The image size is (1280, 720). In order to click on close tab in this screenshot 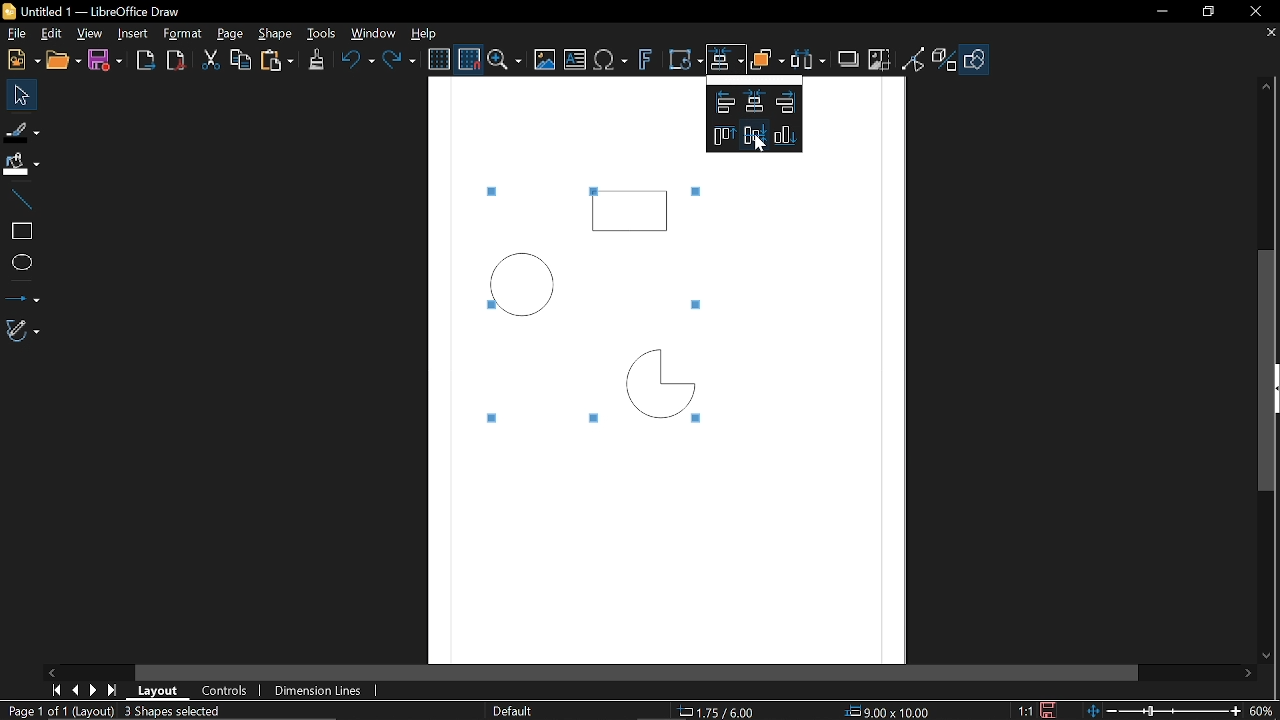, I will do `click(1272, 39)`.